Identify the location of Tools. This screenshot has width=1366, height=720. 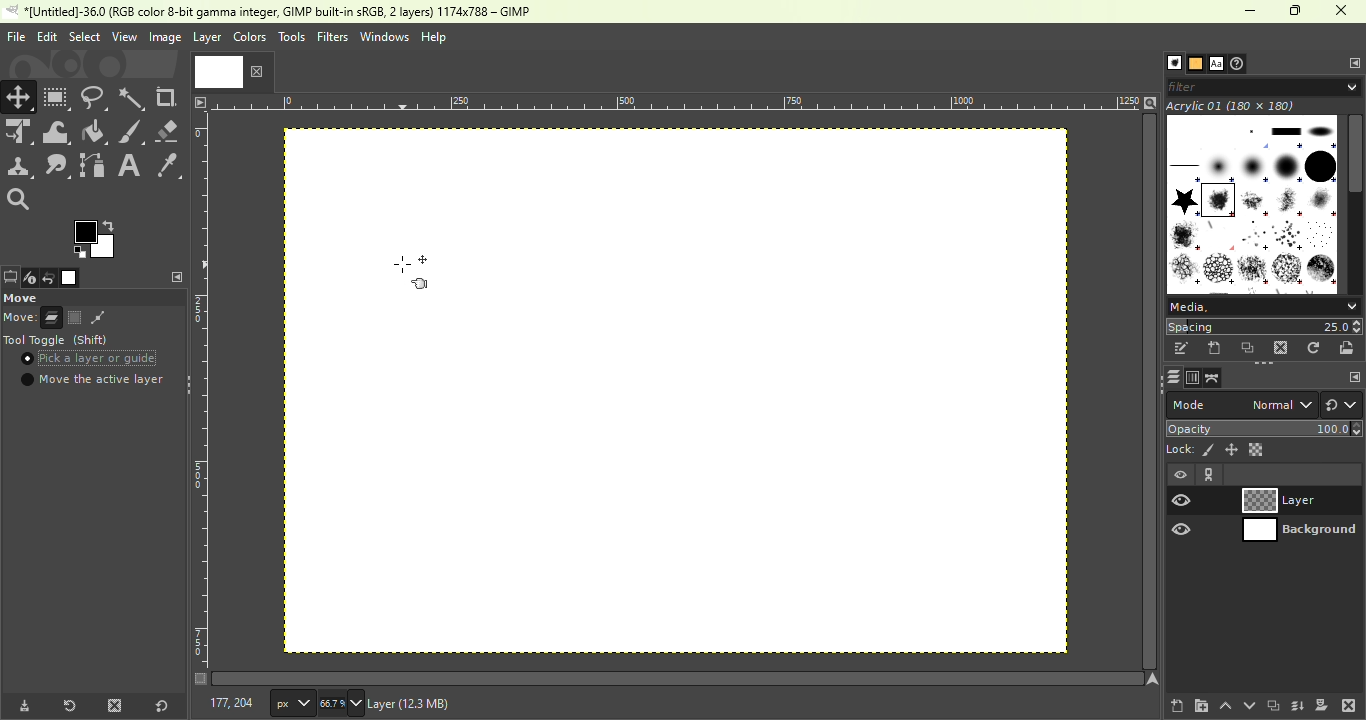
(291, 37).